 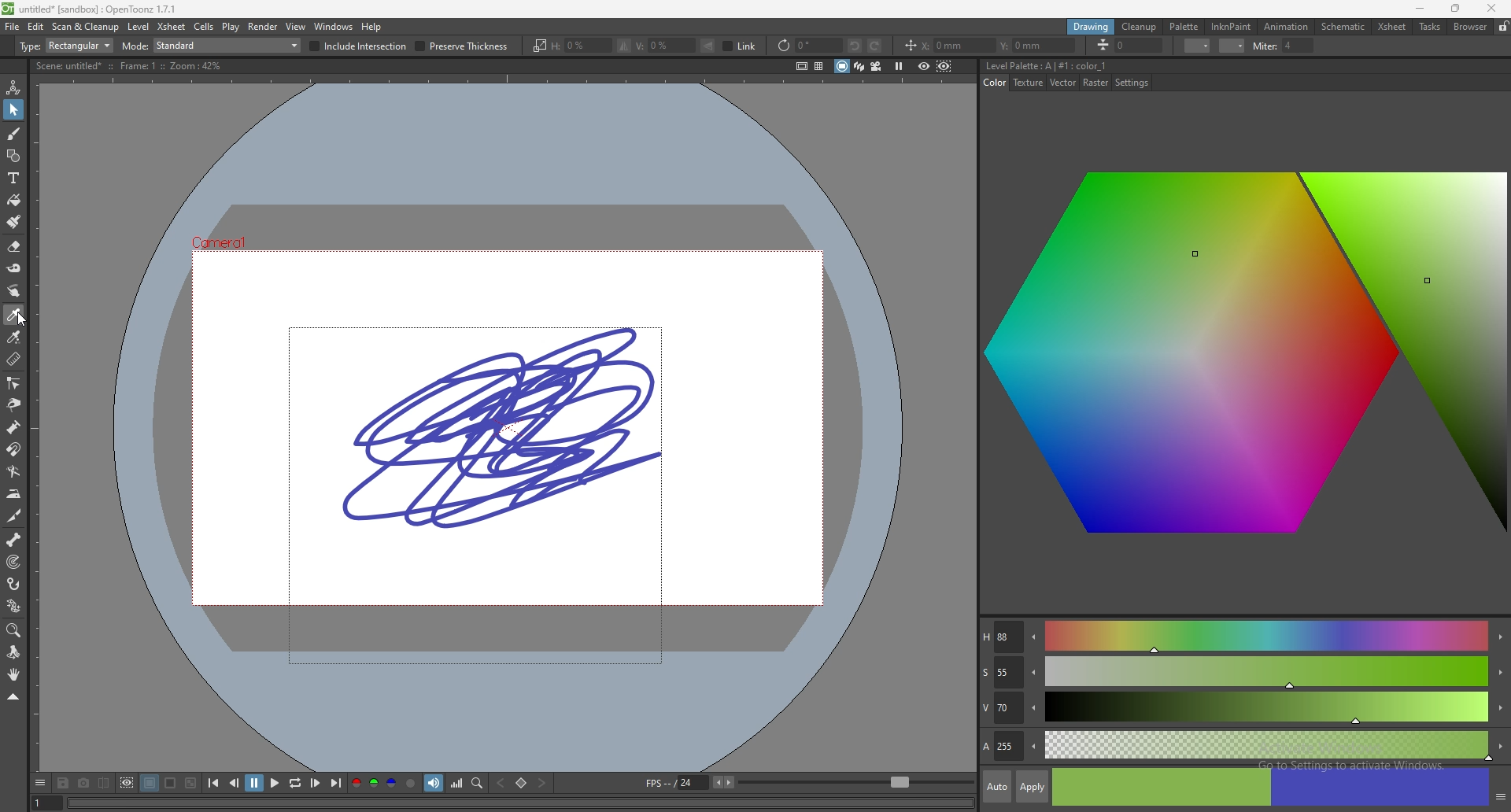 I want to click on palette, so click(x=1184, y=26).